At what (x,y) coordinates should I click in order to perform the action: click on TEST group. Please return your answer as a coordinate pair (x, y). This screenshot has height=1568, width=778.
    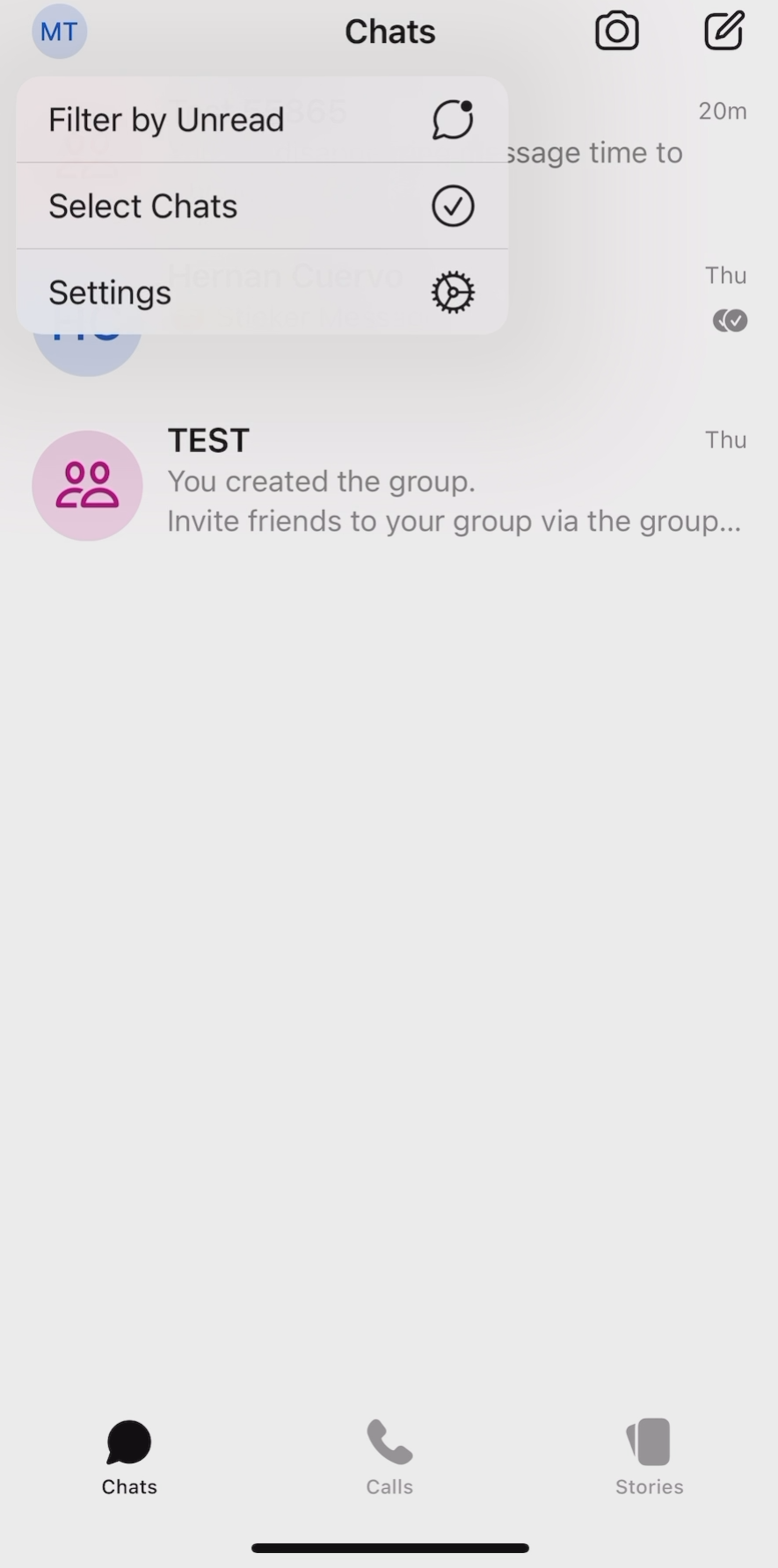
    Looking at the image, I should click on (392, 489).